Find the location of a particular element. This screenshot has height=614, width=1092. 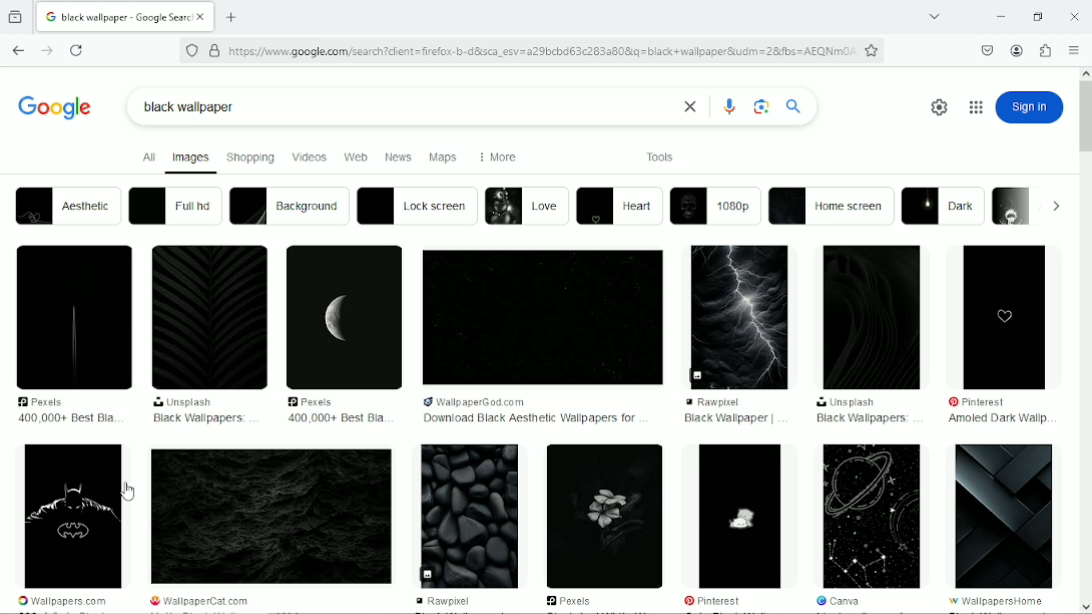

https://www.google.com/search client=firefox-b-d&sca_esv=a29bcbd63 c283a80&q back+wallpaper &udm=2&fbs=aeqnmoa is located at coordinates (541, 51).